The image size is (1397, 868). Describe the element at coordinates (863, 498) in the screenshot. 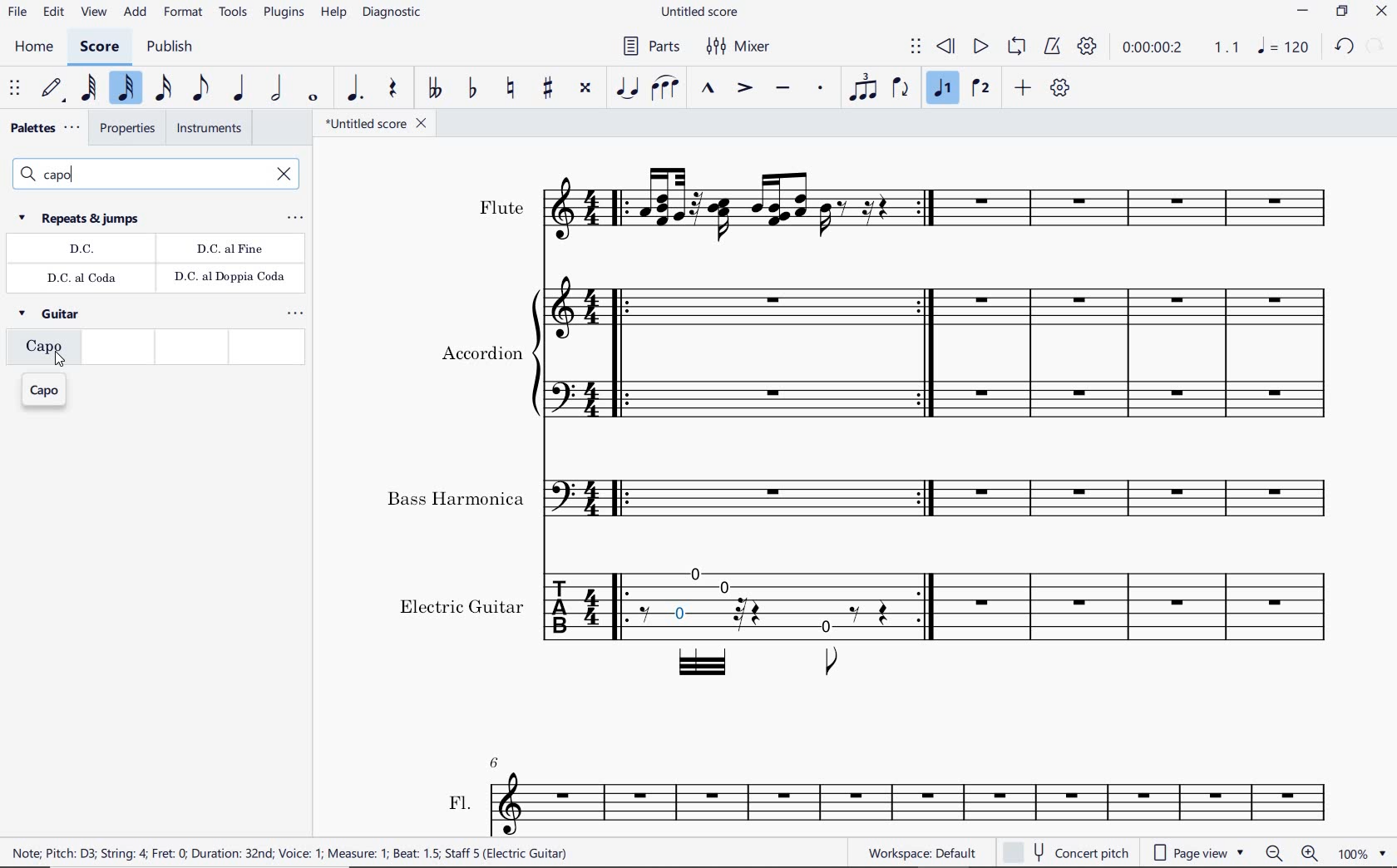

I see `Instrument: Bass Harmonica` at that location.